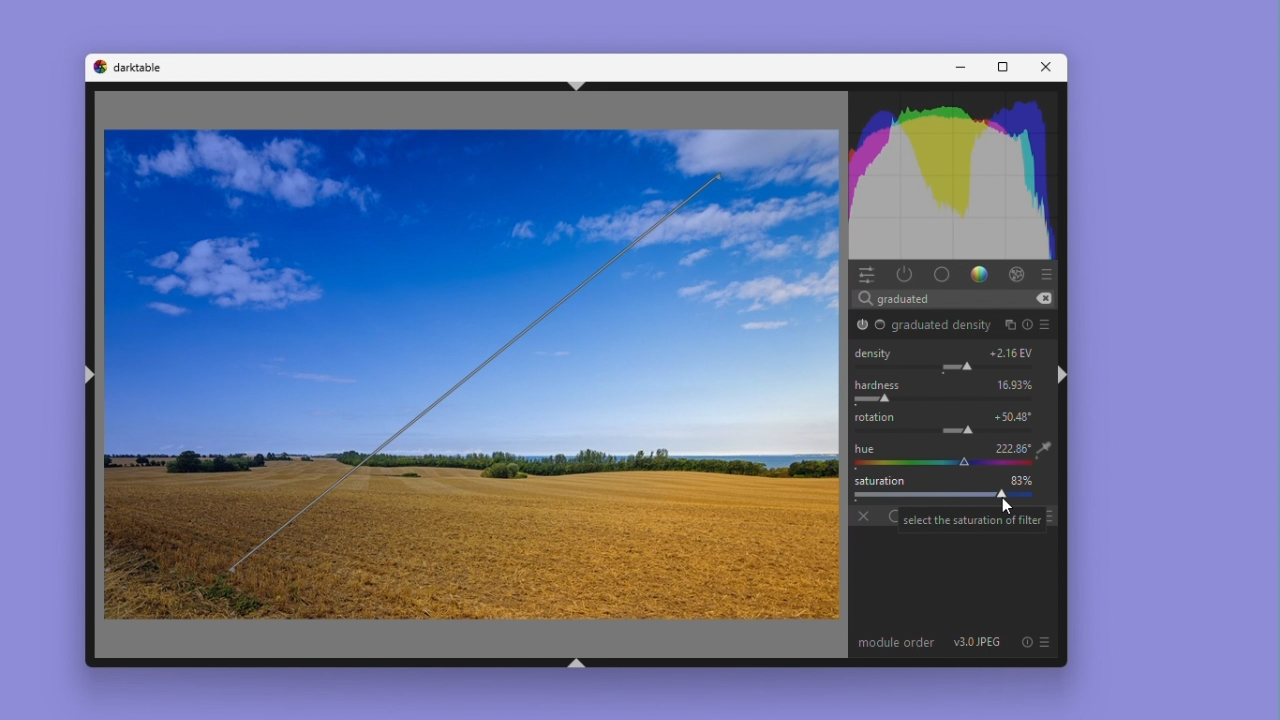 This screenshot has width=1280, height=720. Describe the element at coordinates (971, 516) in the screenshot. I see `Select the saturation of filter` at that location.